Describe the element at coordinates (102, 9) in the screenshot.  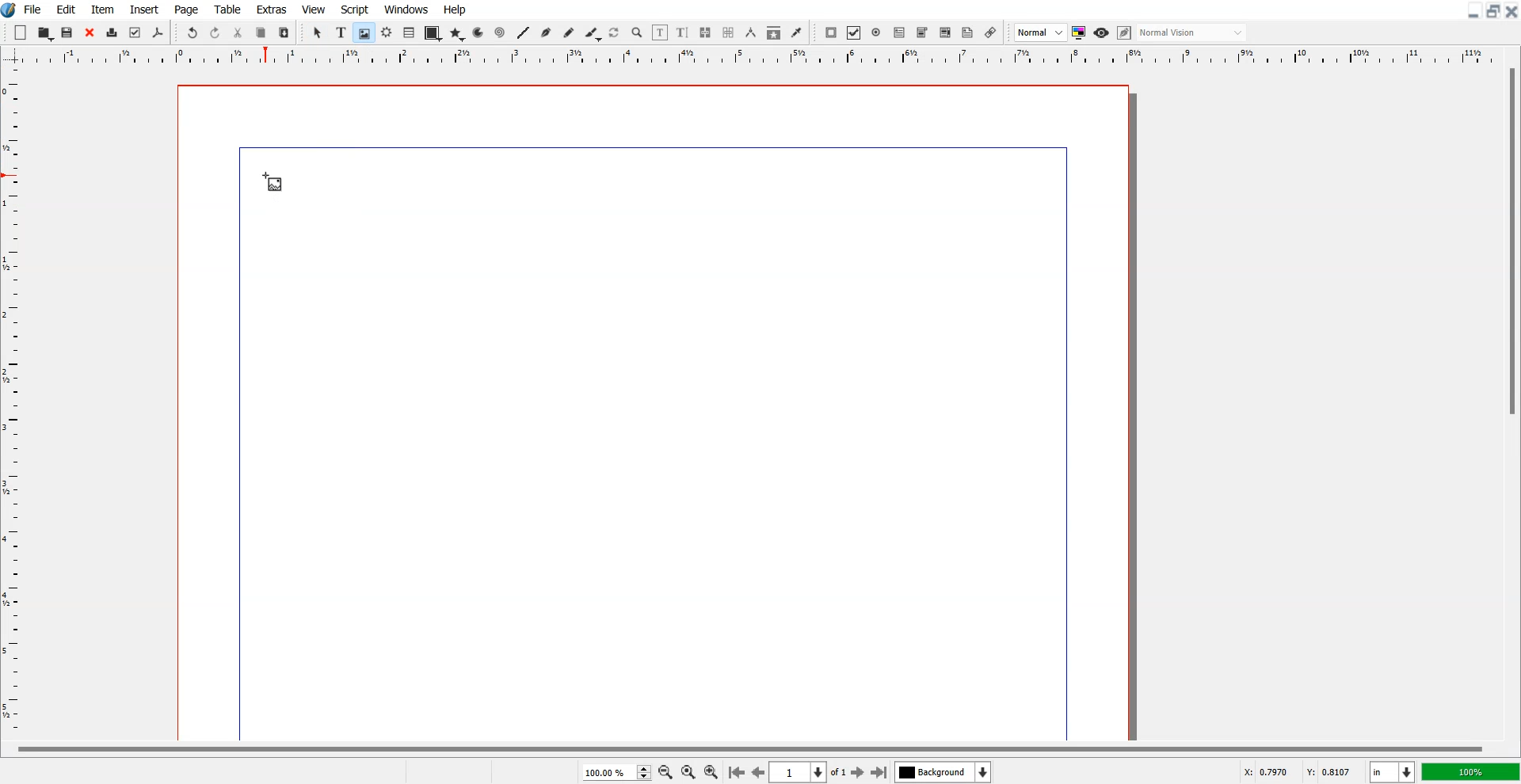
I see `Item` at that location.